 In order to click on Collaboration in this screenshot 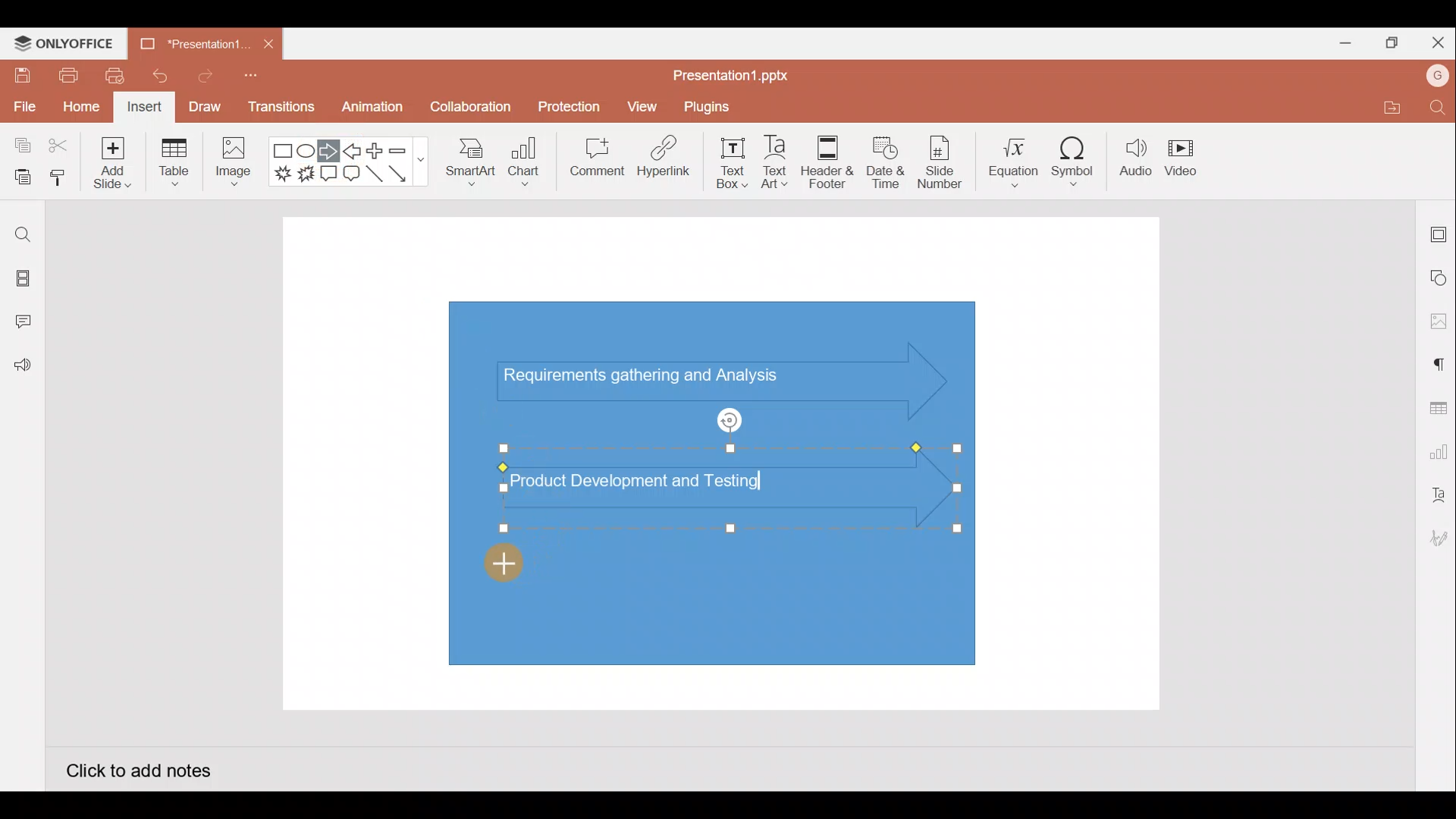, I will do `click(469, 113)`.